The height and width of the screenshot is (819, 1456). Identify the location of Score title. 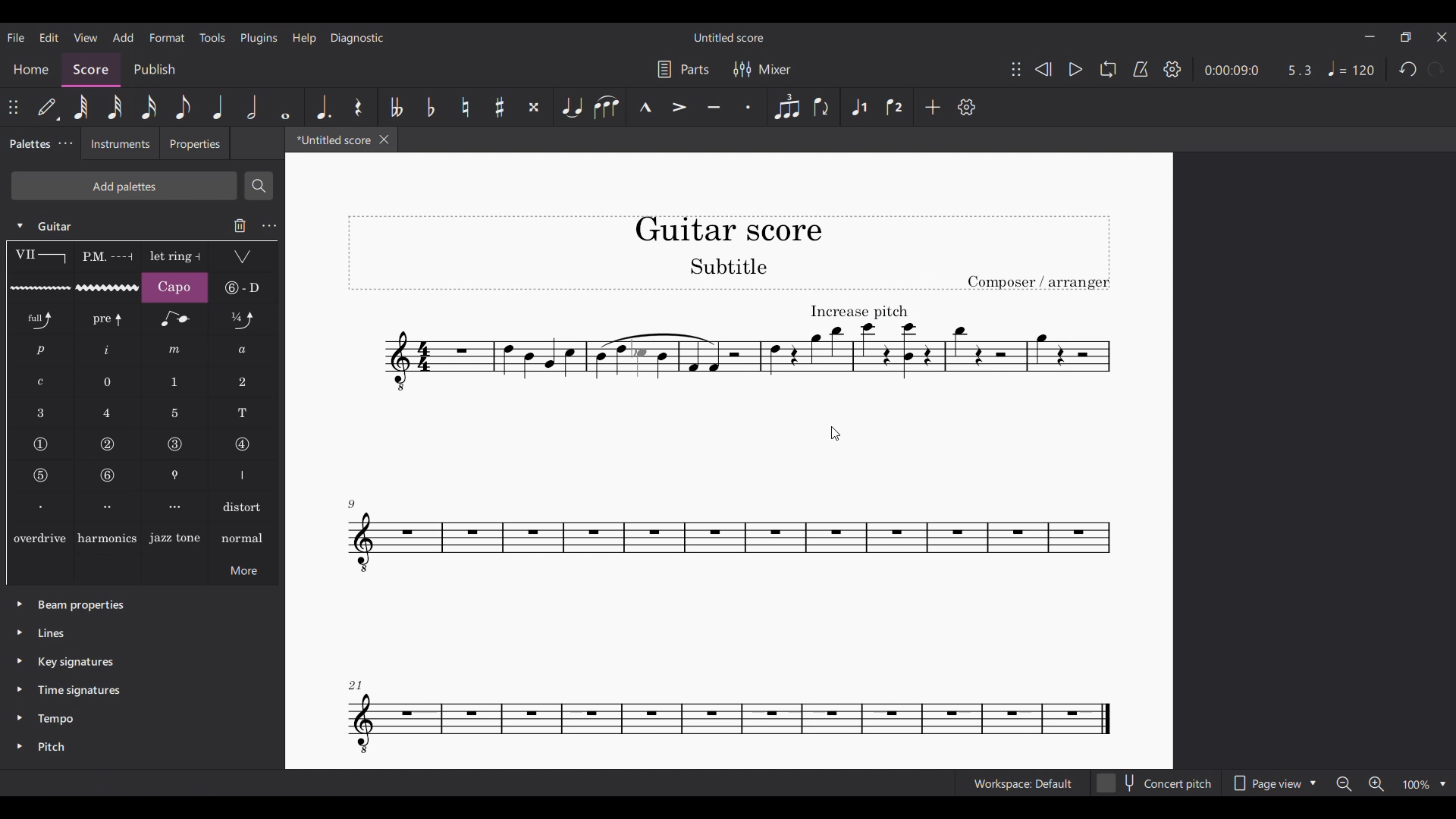
(728, 38).